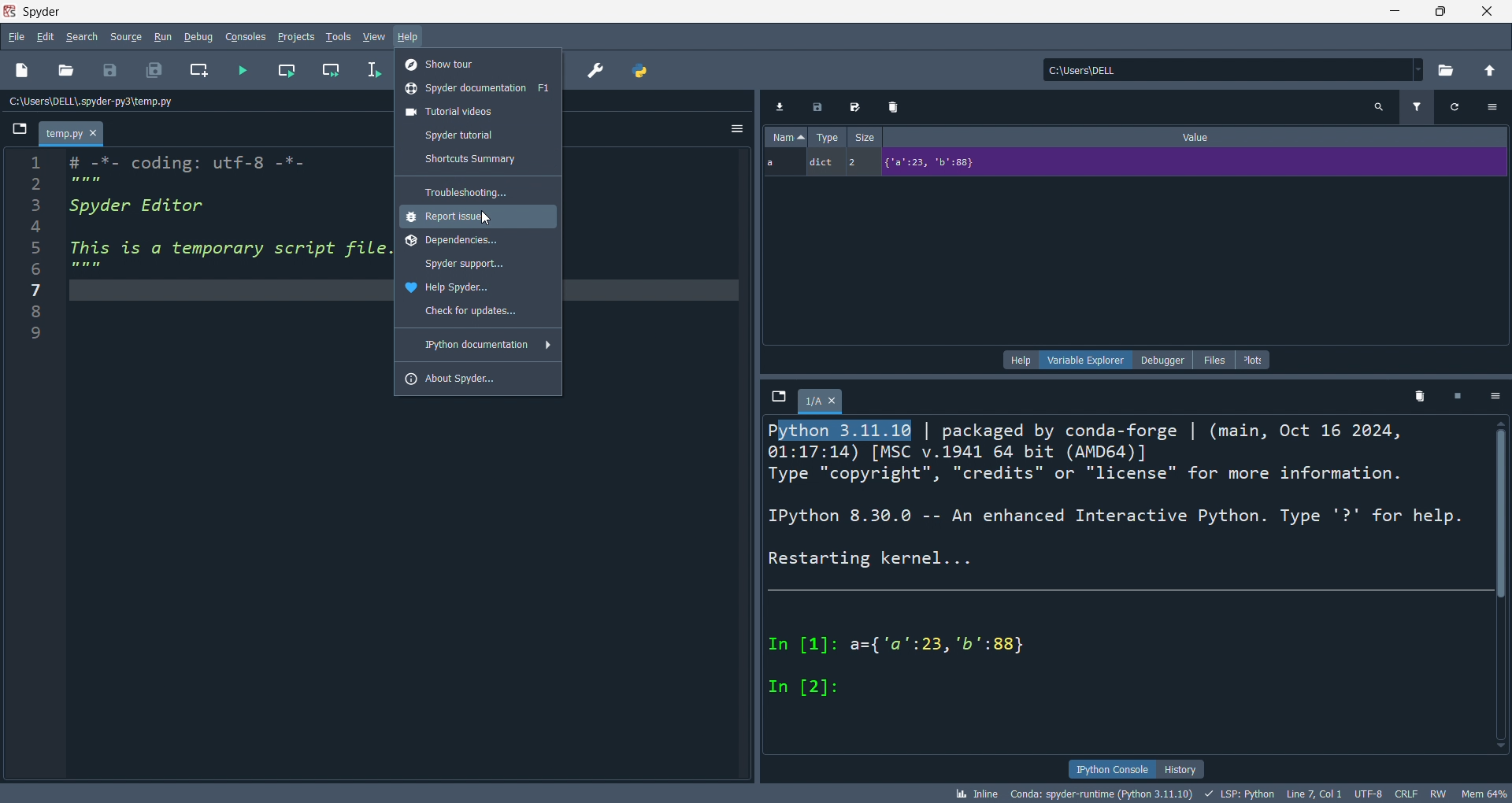 Image resolution: width=1512 pixels, height=803 pixels. Describe the element at coordinates (479, 265) in the screenshot. I see `app support` at that location.